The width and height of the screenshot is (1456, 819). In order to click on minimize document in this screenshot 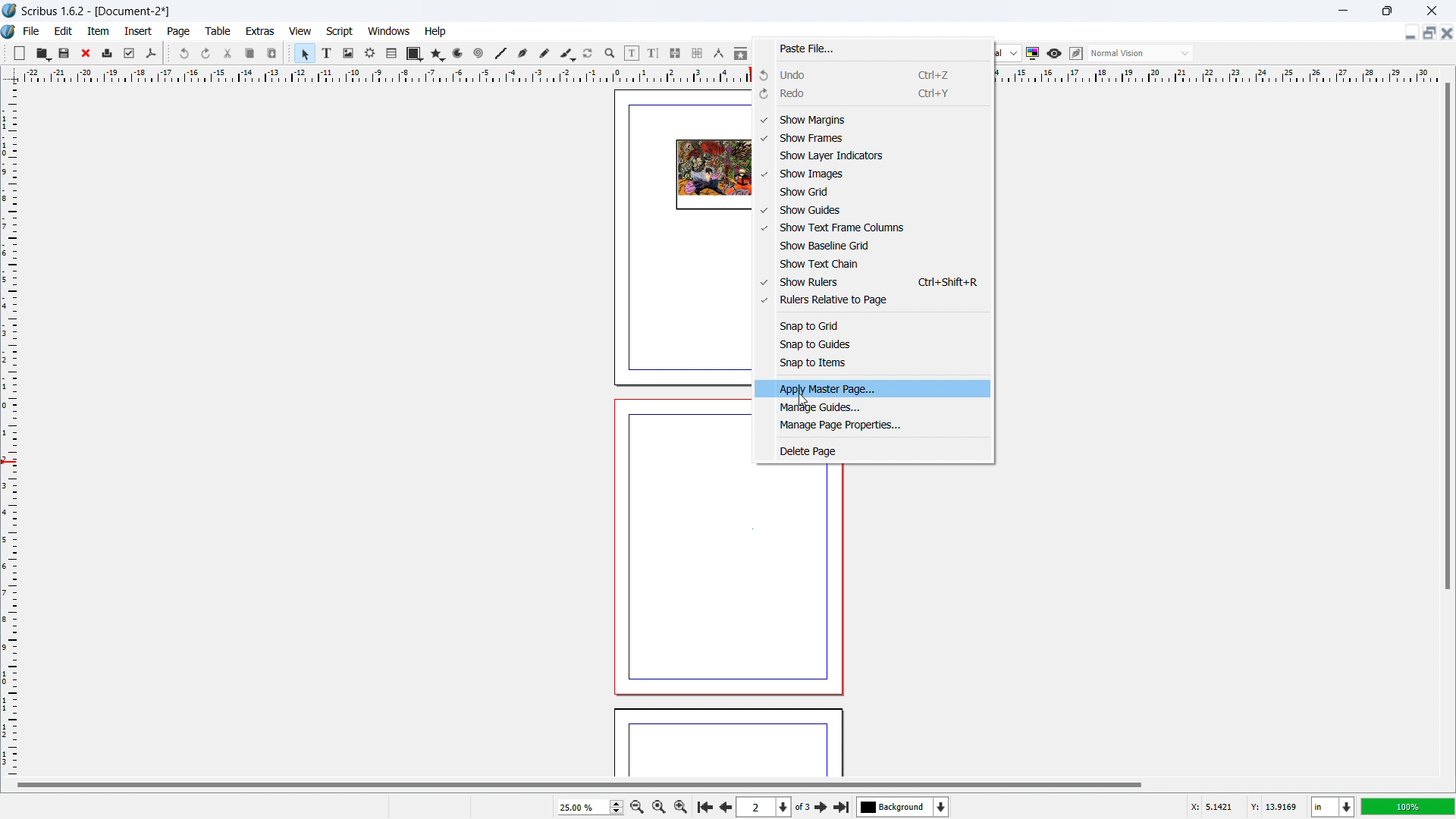, I will do `click(1408, 34)`.